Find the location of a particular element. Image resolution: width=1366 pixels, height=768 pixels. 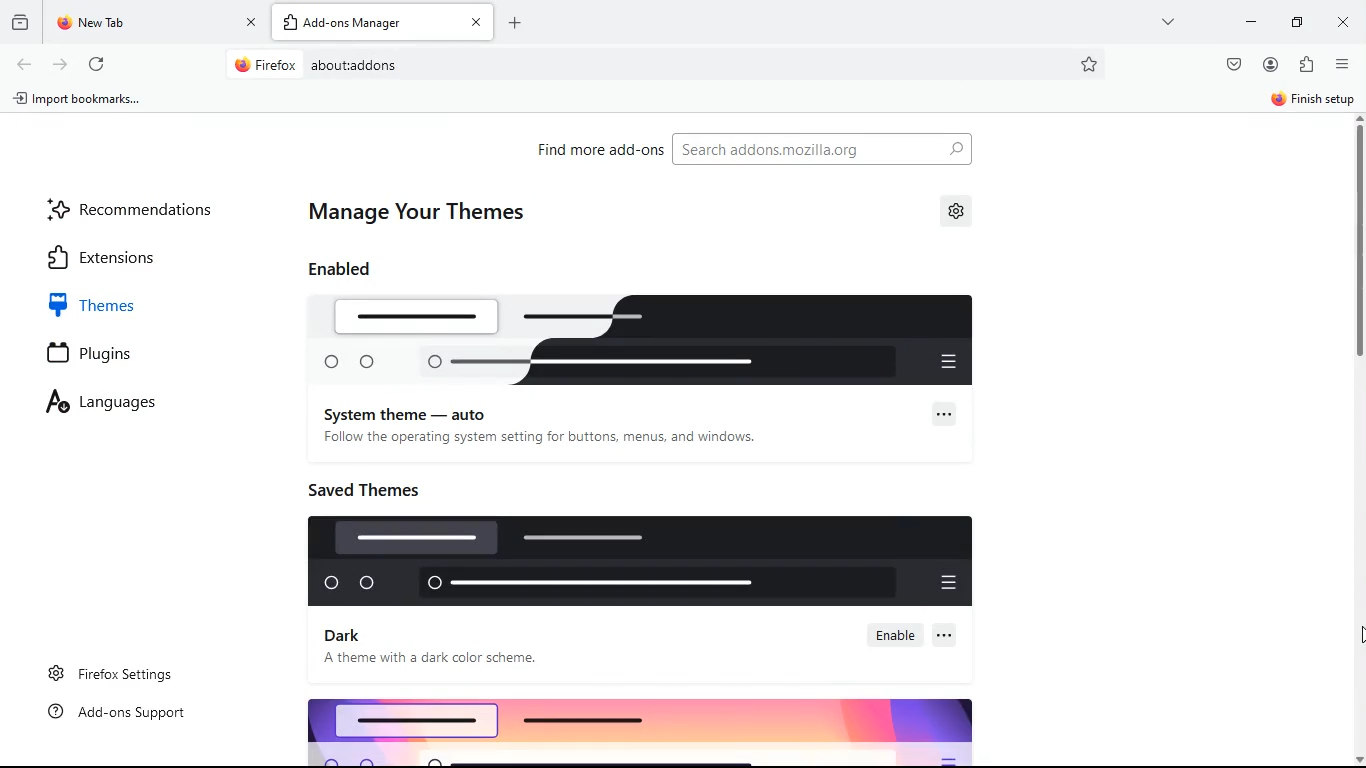

maximize is located at coordinates (1291, 22).